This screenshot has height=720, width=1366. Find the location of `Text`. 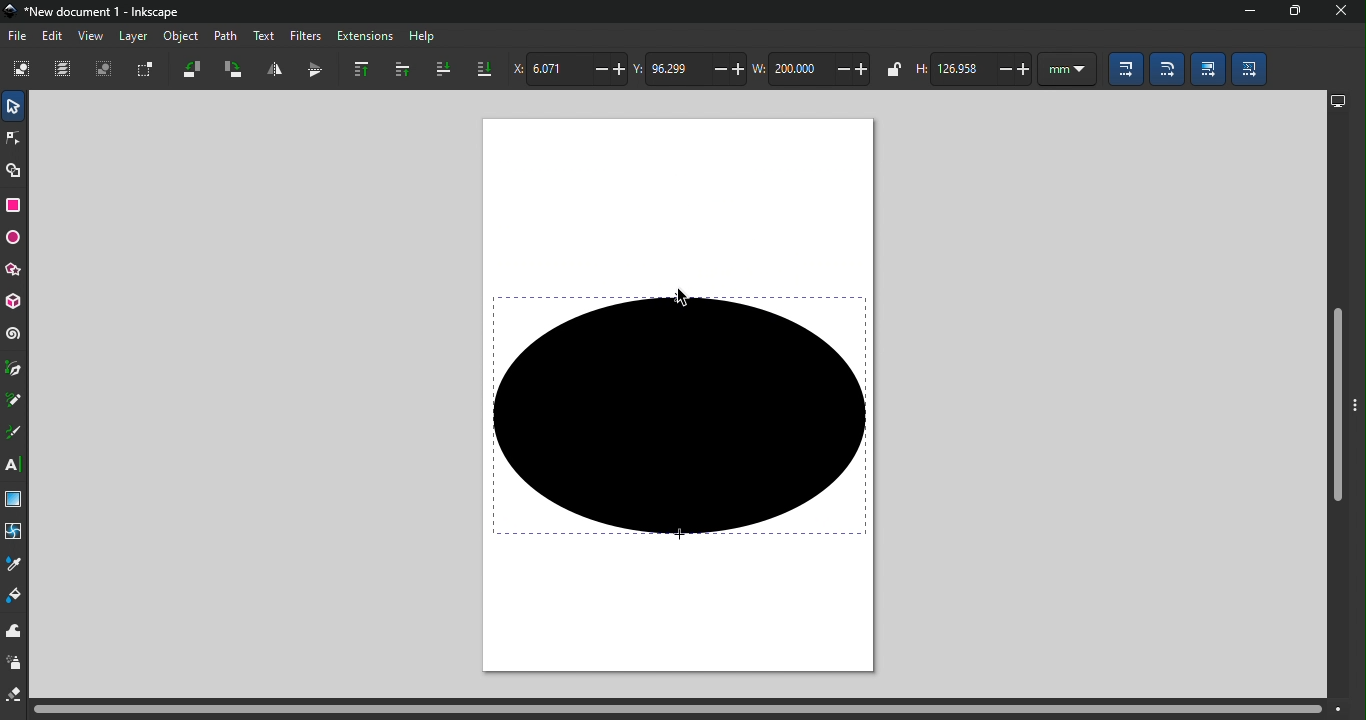

Text is located at coordinates (262, 34).